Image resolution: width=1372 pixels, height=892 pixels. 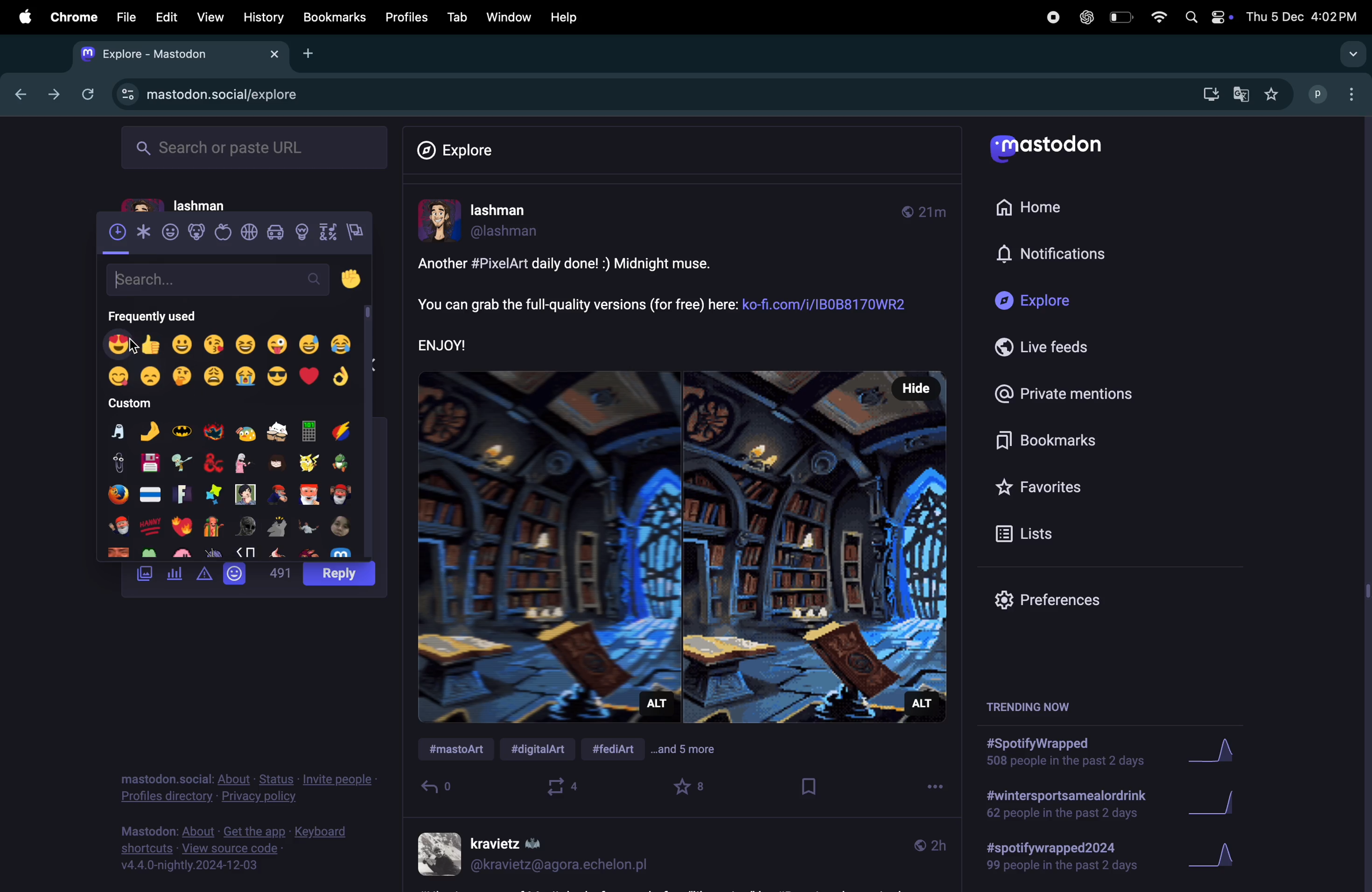 What do you see at coordinates (1053, 146) in the screenshot?
I see `Mastodon` at bounding box center [1053, 146].